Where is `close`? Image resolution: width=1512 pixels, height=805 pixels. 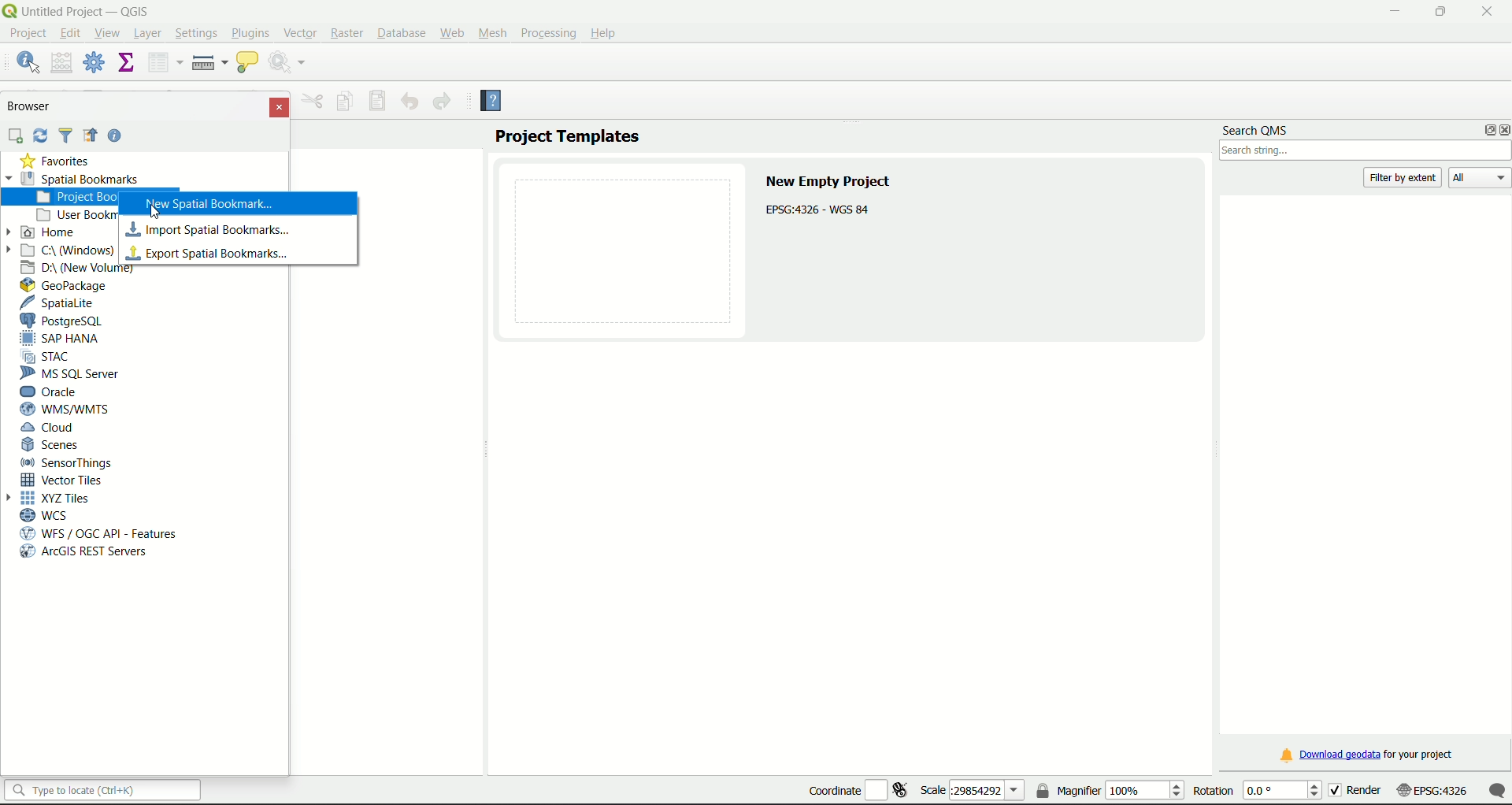
close is located at coordinates (1486, 10).